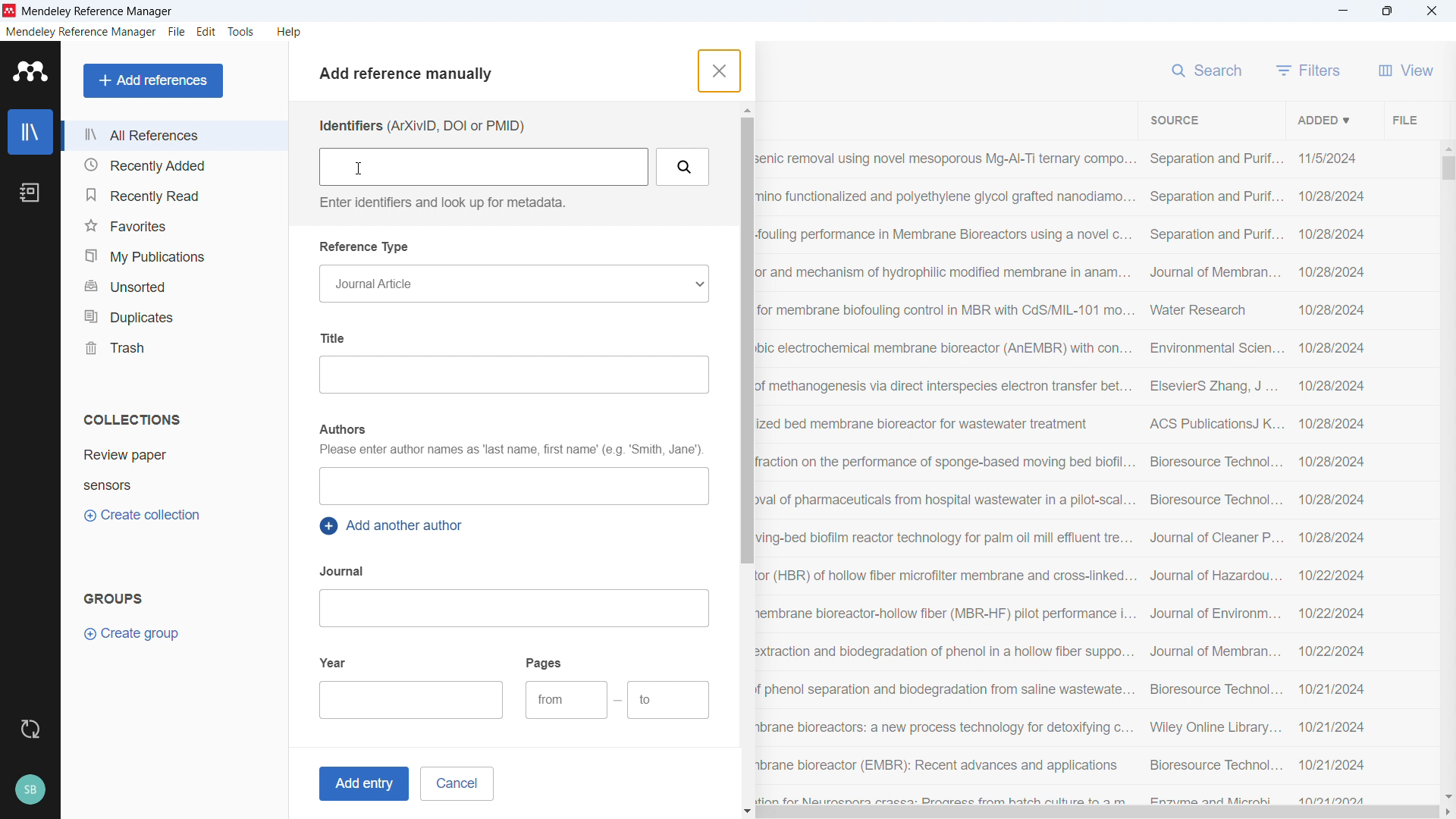 This screenshot has height=819, width=1456. I want to click on help , so click(290, 32).